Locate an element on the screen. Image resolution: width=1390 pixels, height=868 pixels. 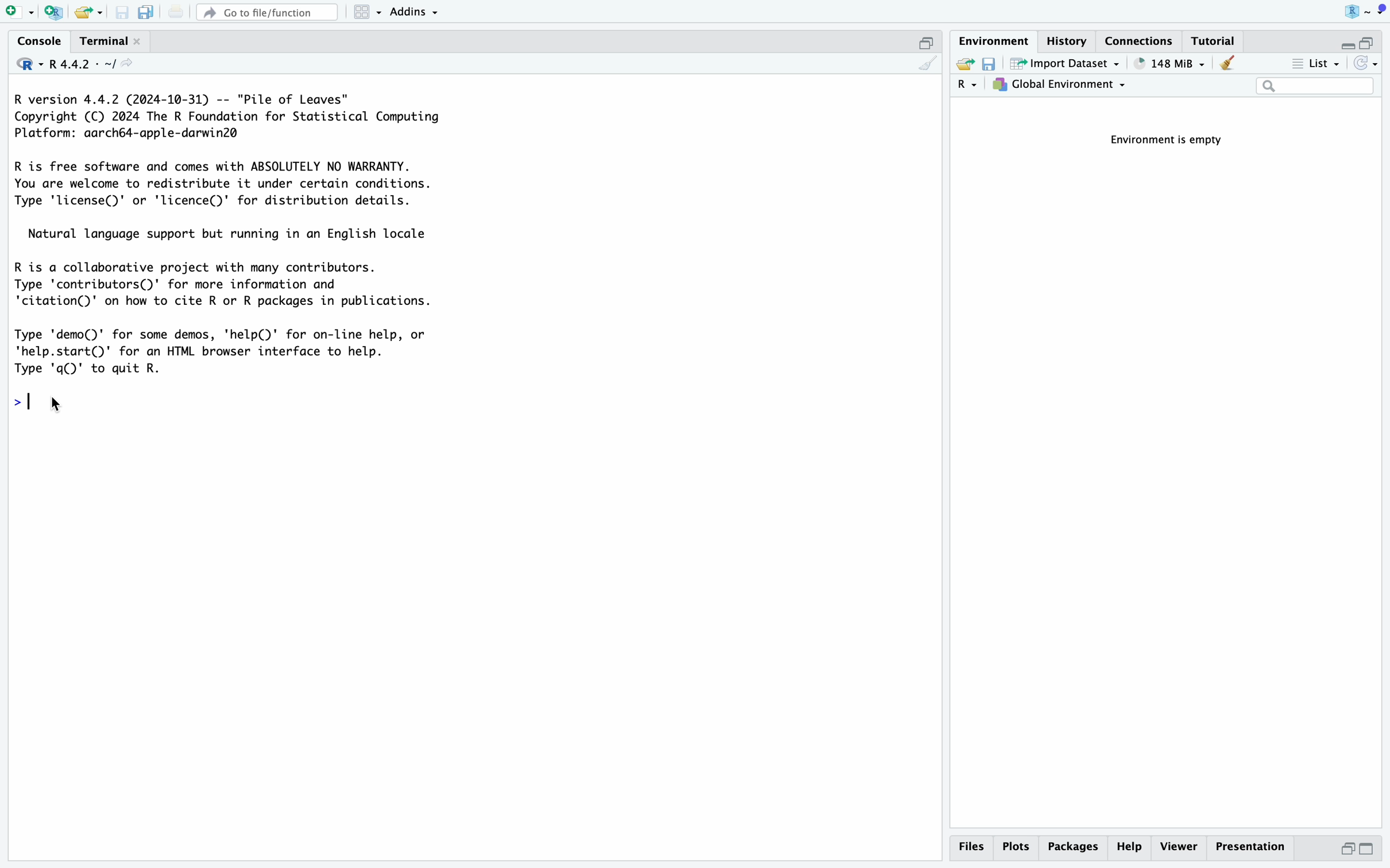
clear objects from the workspace is located at coordinates (1226, 64).